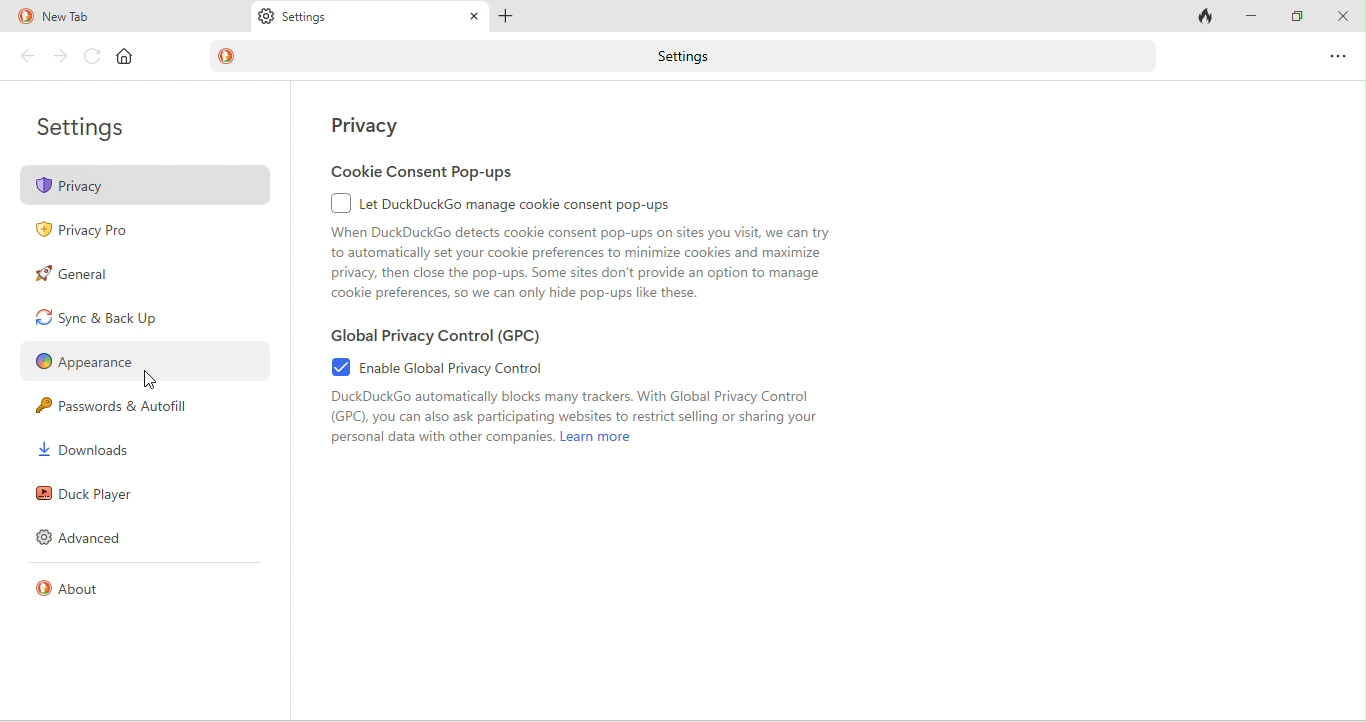 This screenshot has height=722, width=1366. I want to click on personal data with other companies, so click(438, 443).